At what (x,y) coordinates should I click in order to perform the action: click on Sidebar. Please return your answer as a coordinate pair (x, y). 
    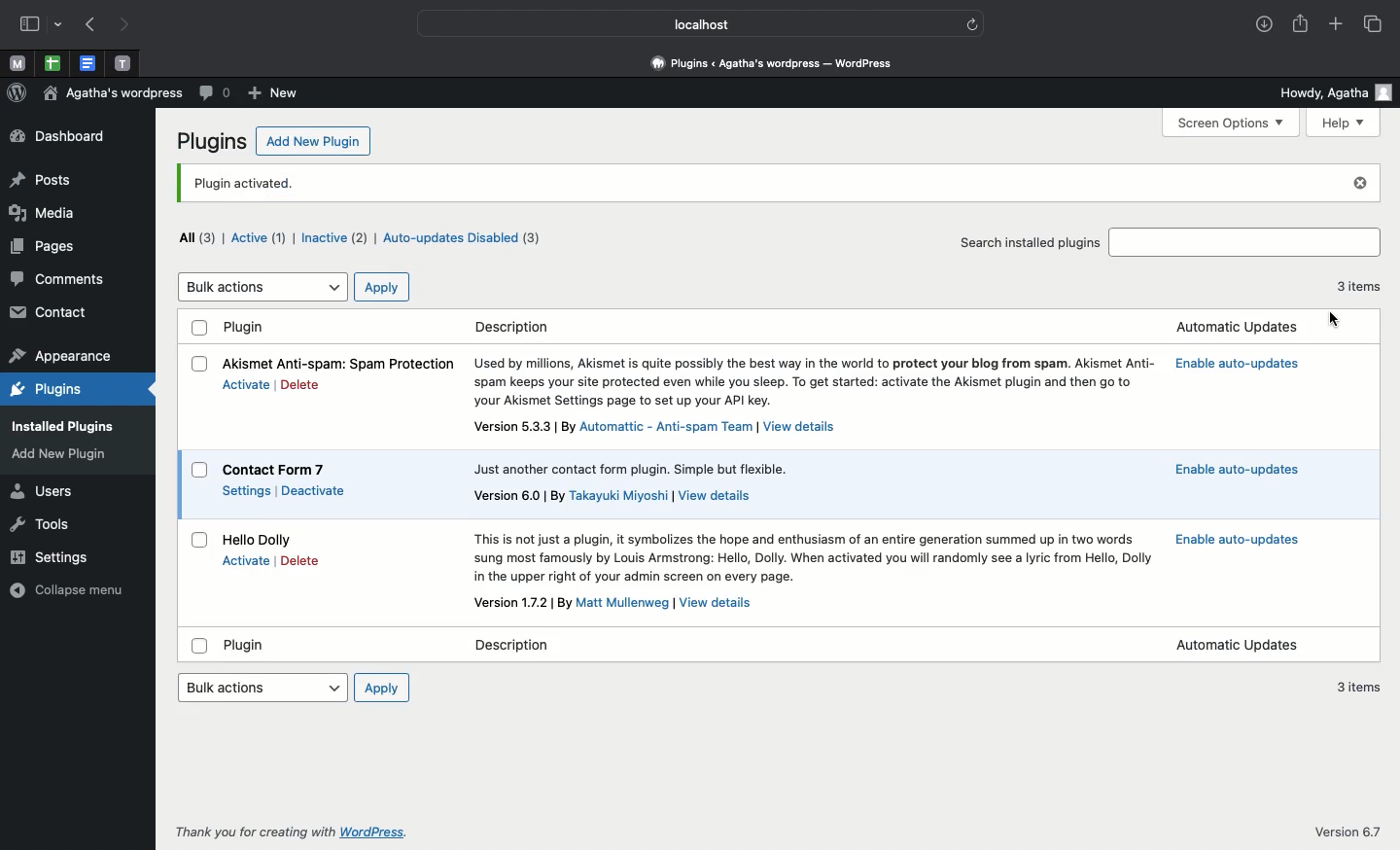
    Looking at the image, I should click on (32, 25).